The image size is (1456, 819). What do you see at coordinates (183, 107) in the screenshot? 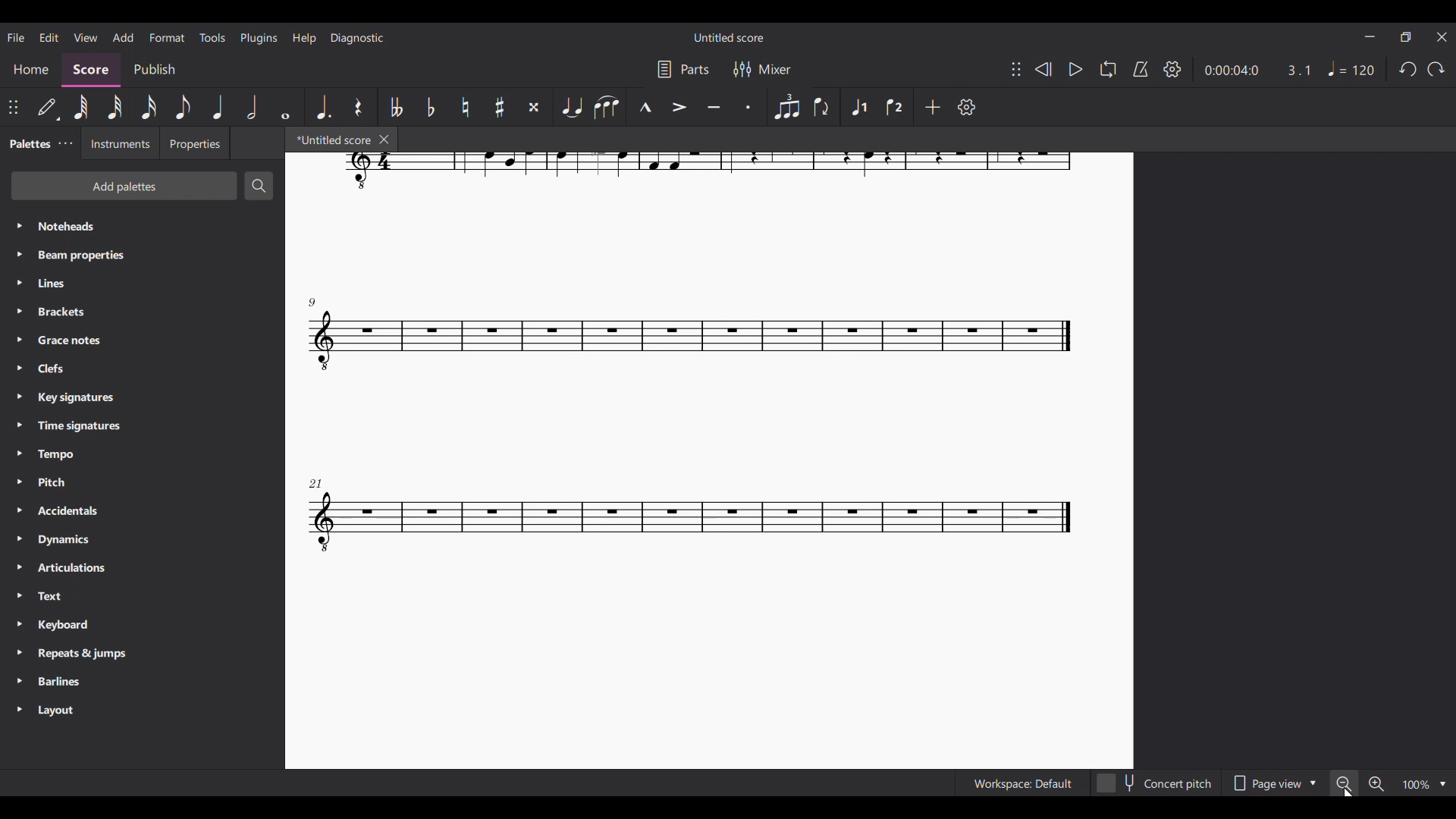
I see `8th note` at bounding box center [183, 107].